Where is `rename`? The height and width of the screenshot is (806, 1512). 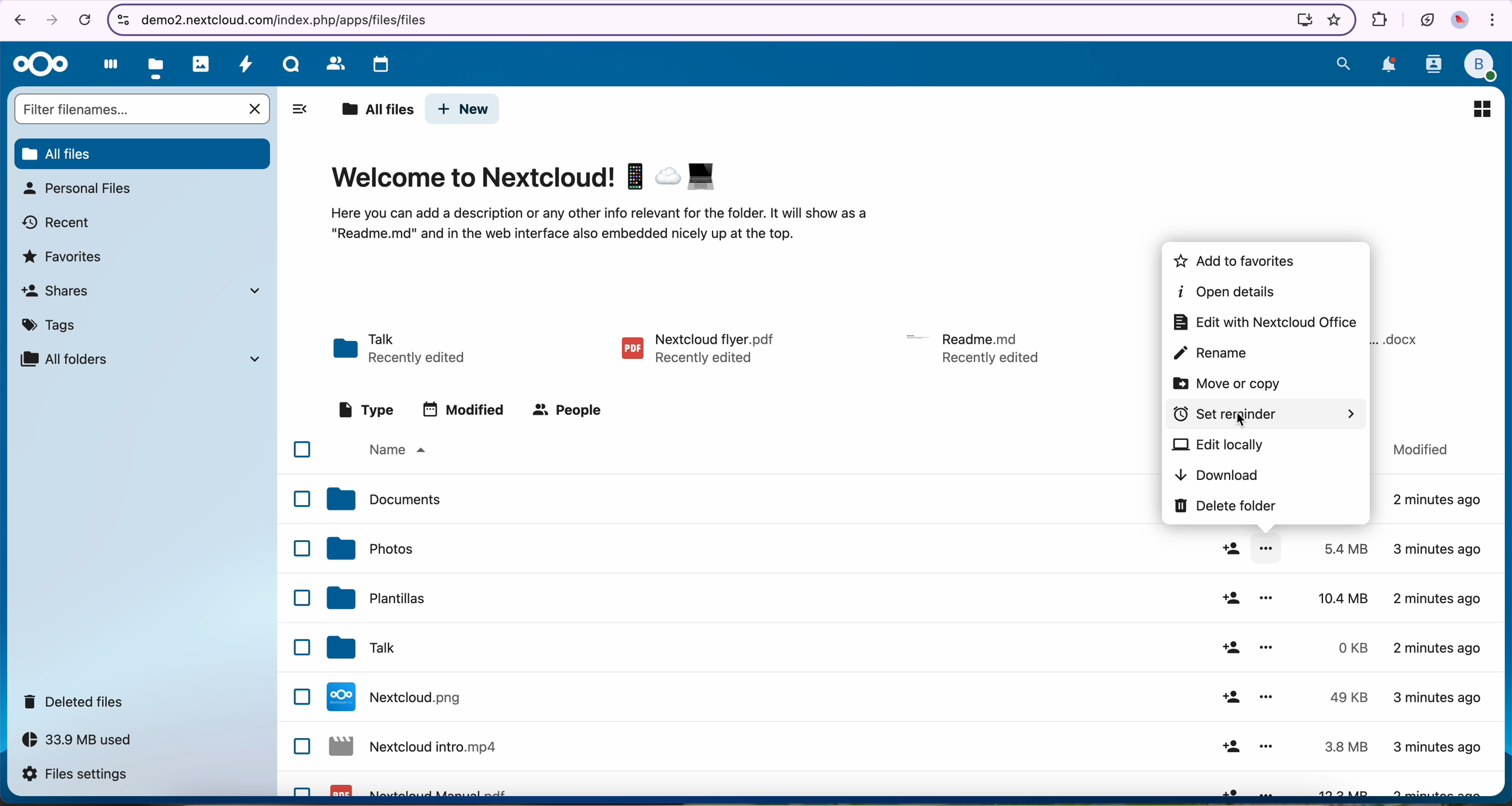
rename is located at coordinates (1209, 354).